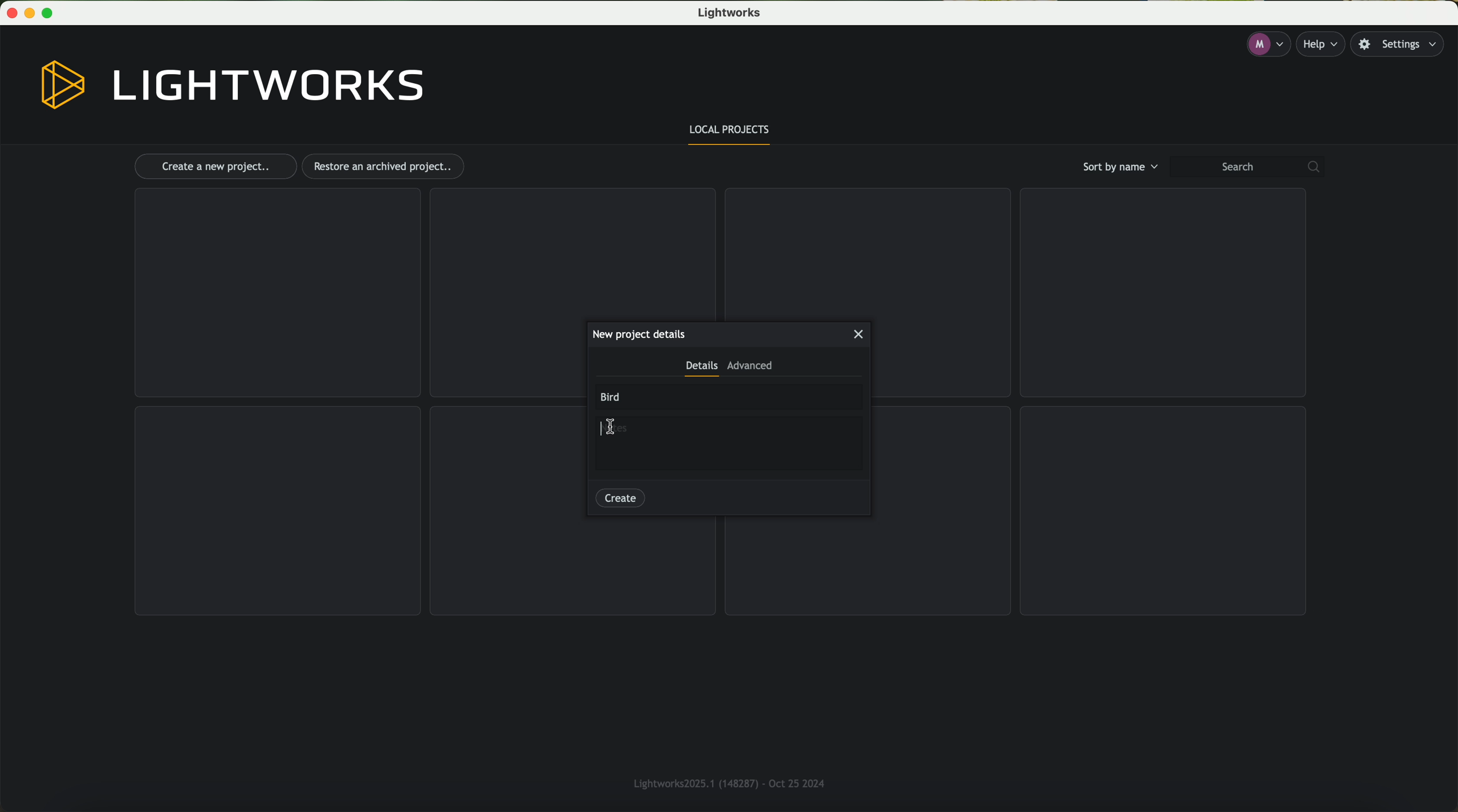  I want to click on grid, so click(276, 293).